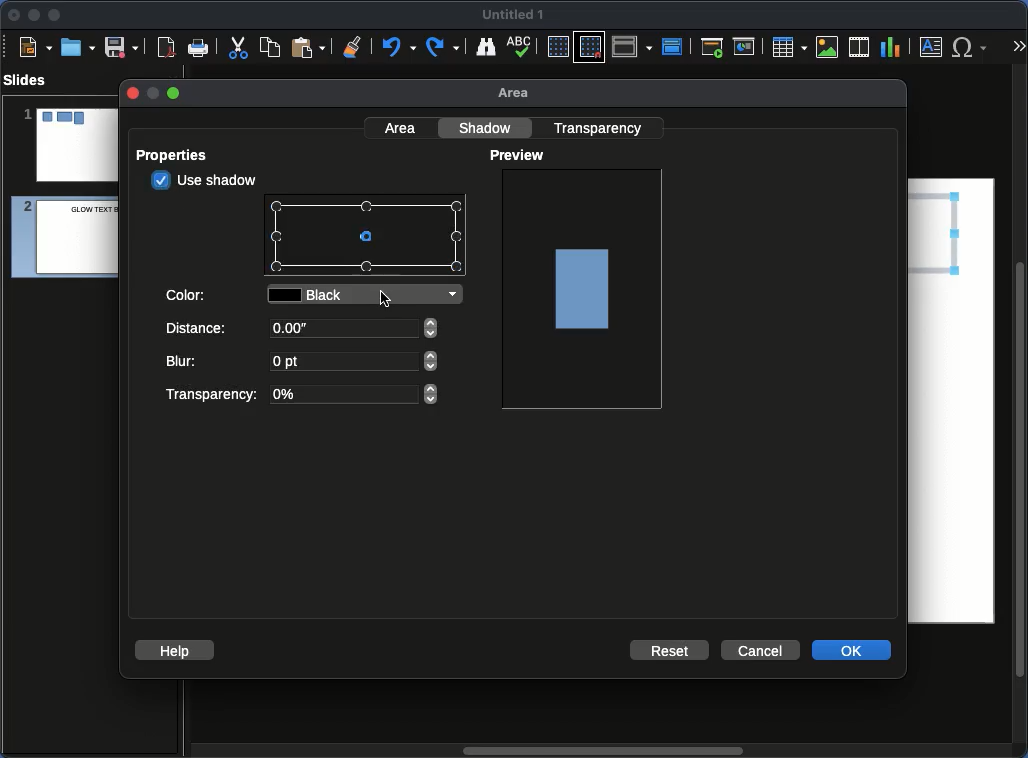 This screenshot has width=1028, height=758. I want to click on Black, so click(369, 296).